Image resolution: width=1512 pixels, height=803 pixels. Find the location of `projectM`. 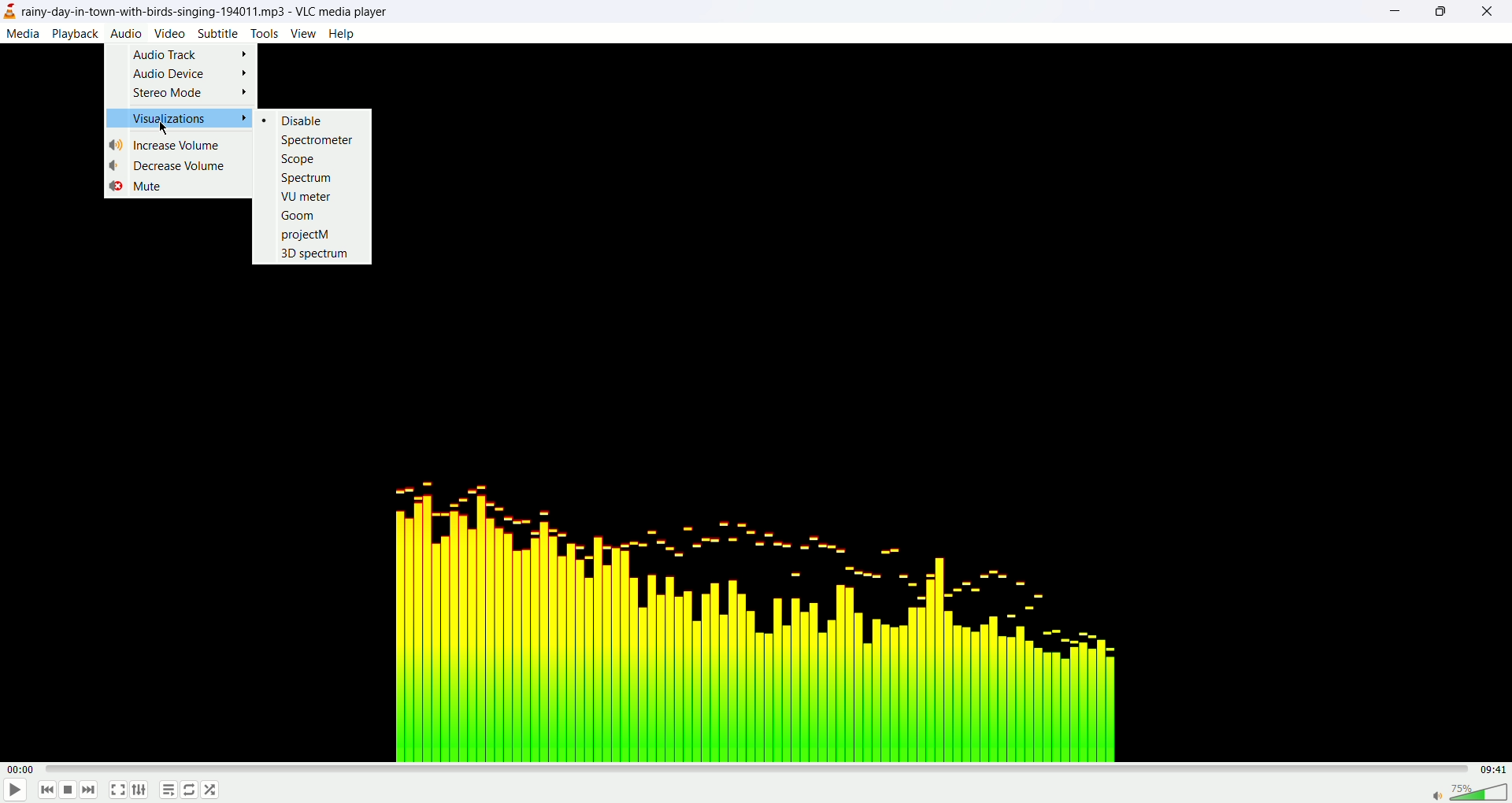

projectM is located at coordinates (306, 235).